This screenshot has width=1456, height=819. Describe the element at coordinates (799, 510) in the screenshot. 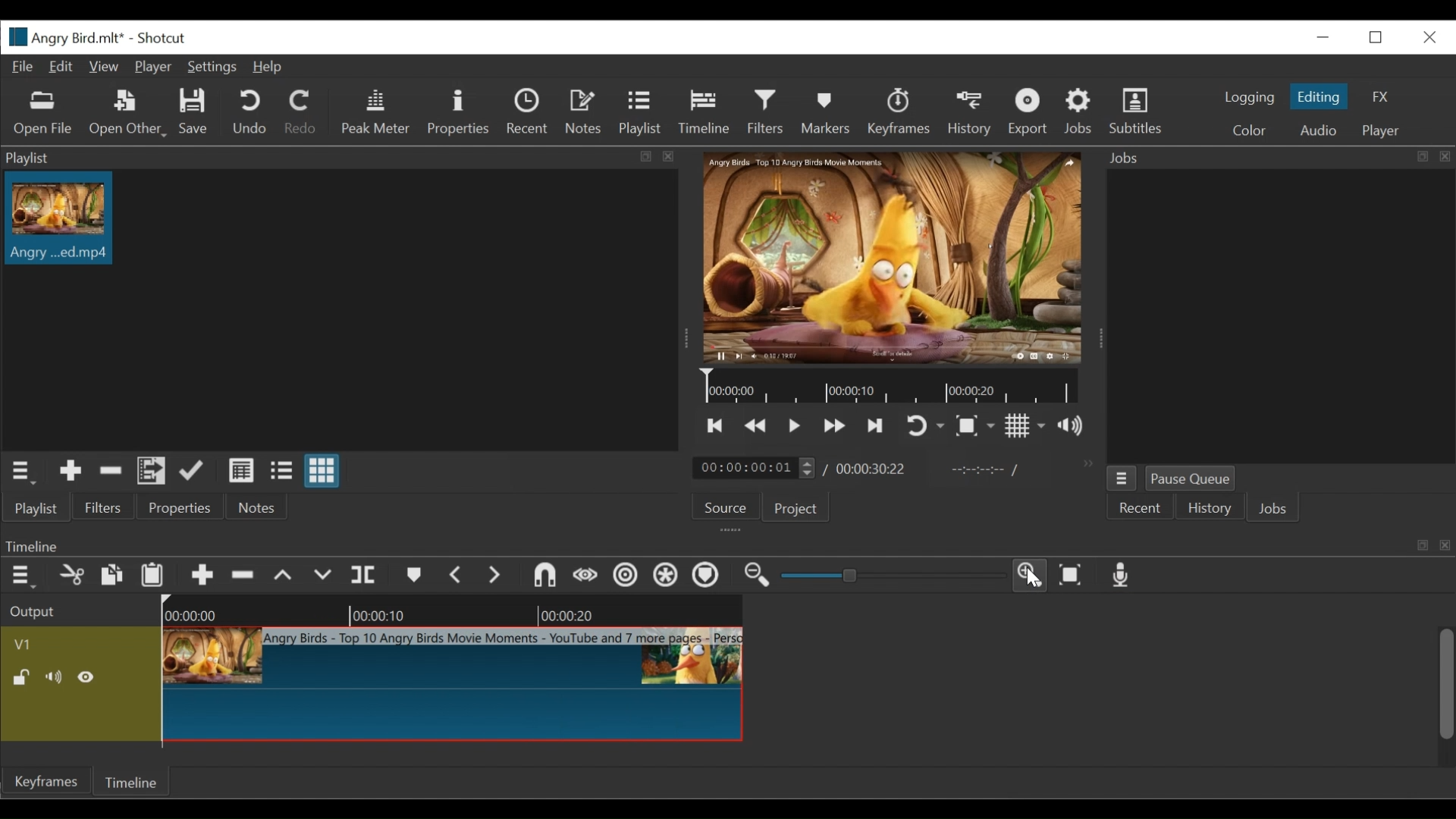

I see `Project` at that location.